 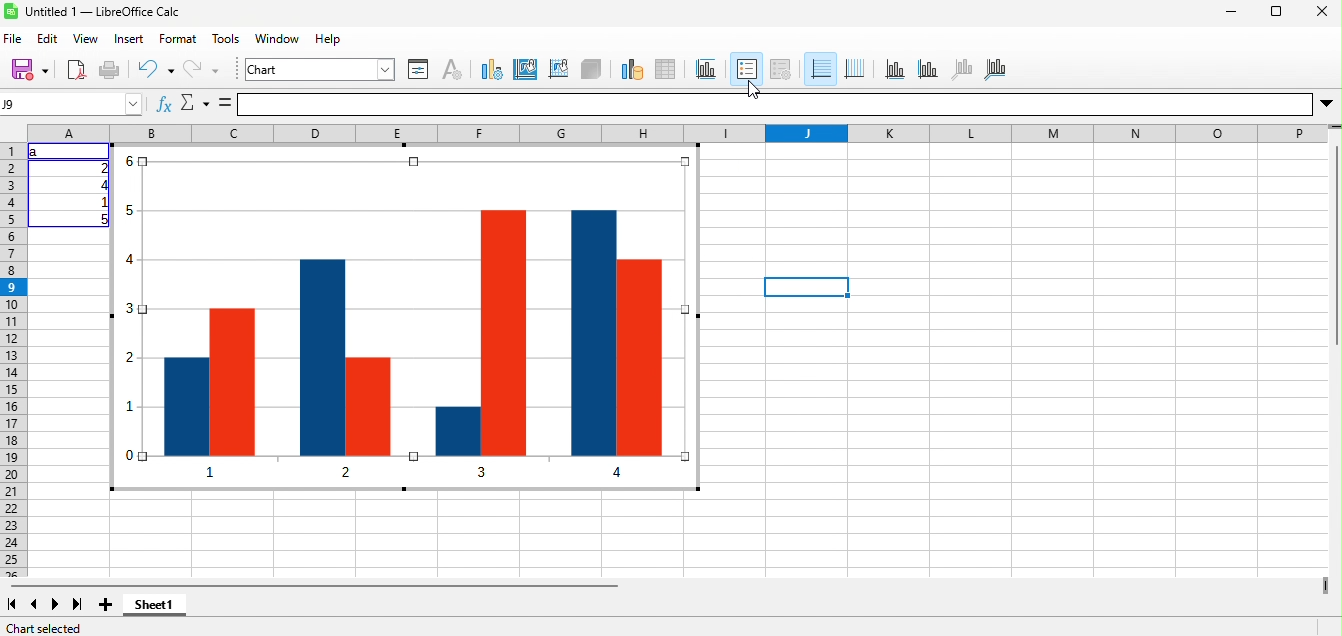 I want to click on view, so click(x=87, y=40).